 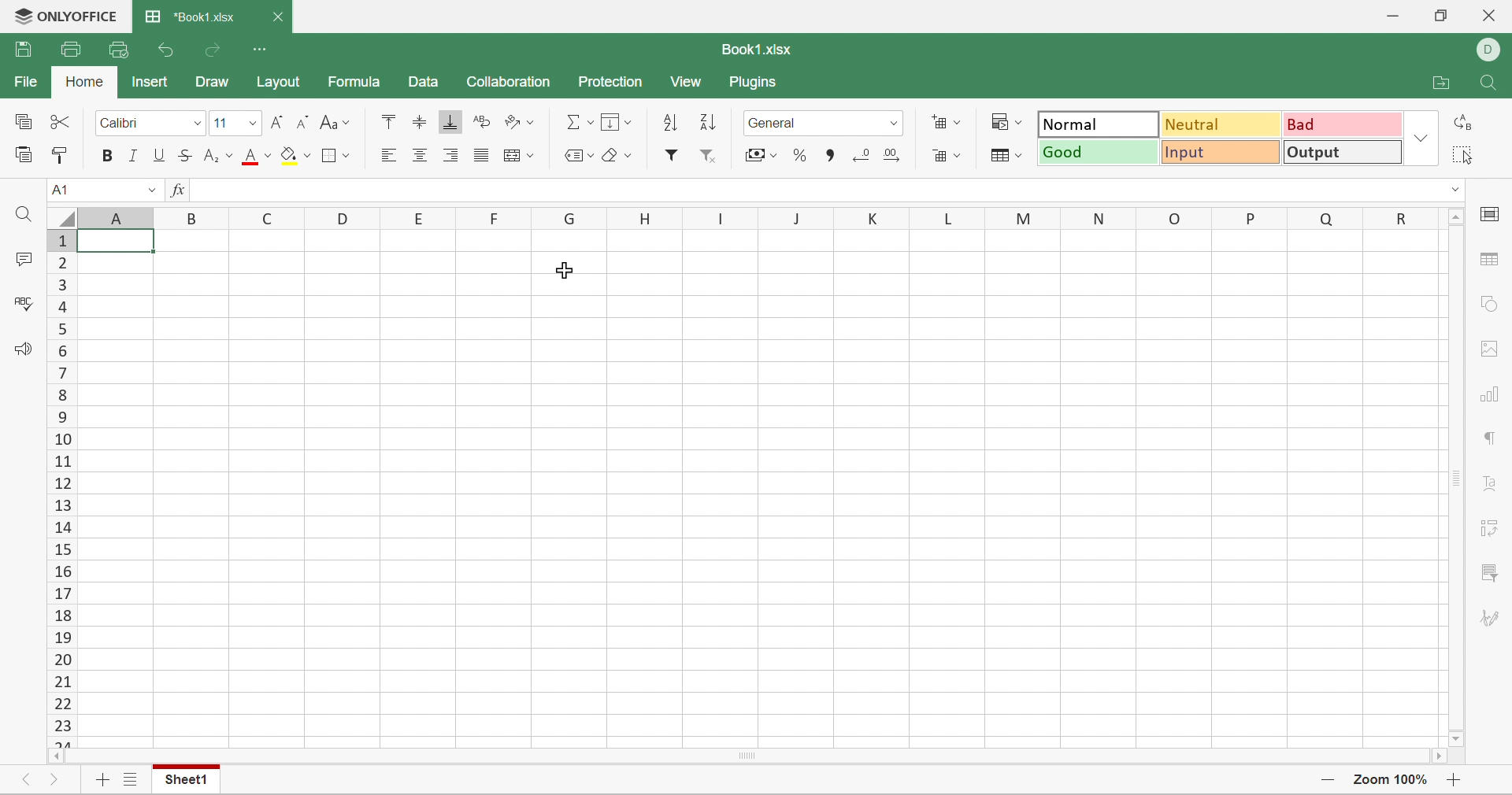 I want to click on Copy style, so click(x=61, y=154).